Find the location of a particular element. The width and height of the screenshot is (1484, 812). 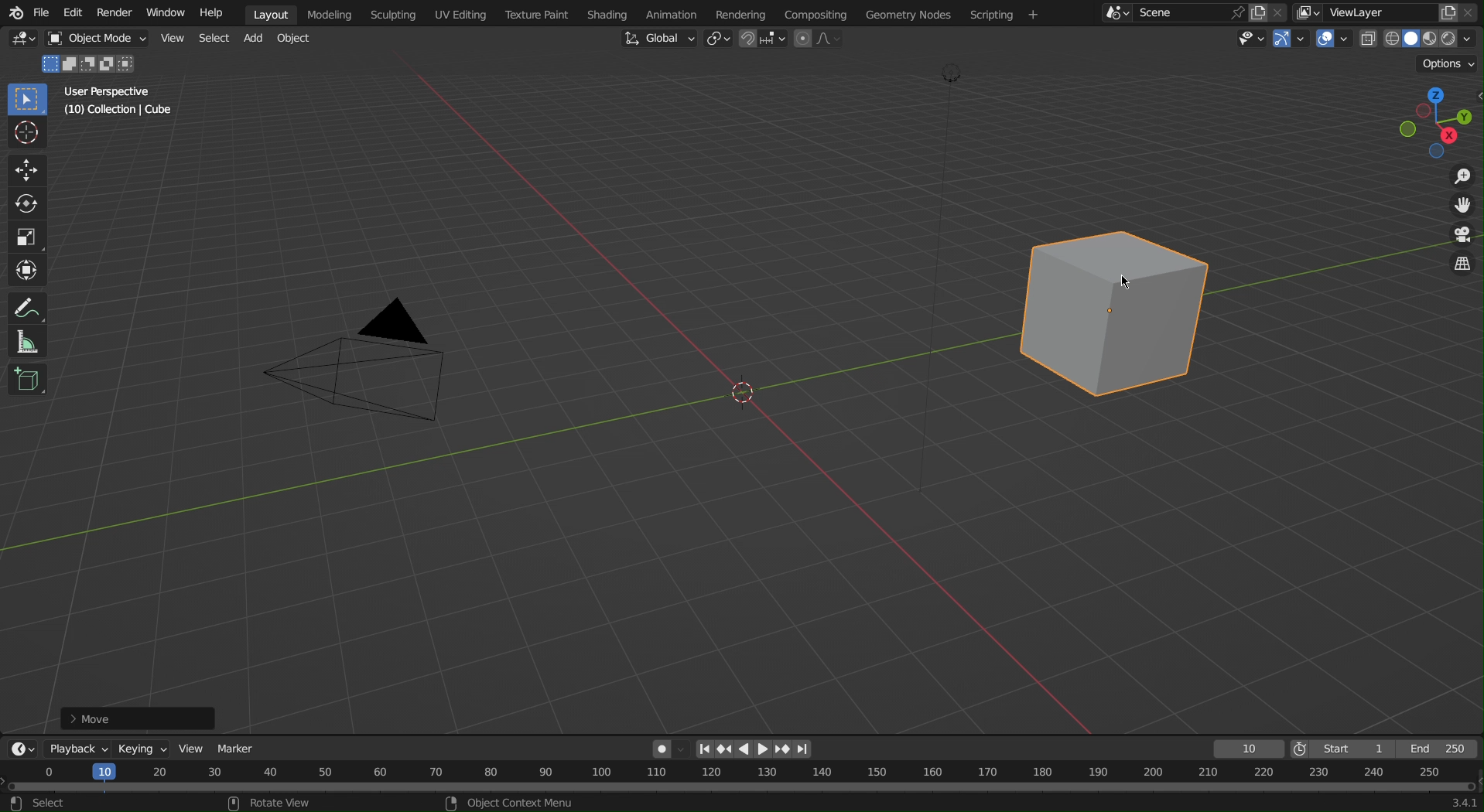

Camera View is located at coordinates (1460, 237).